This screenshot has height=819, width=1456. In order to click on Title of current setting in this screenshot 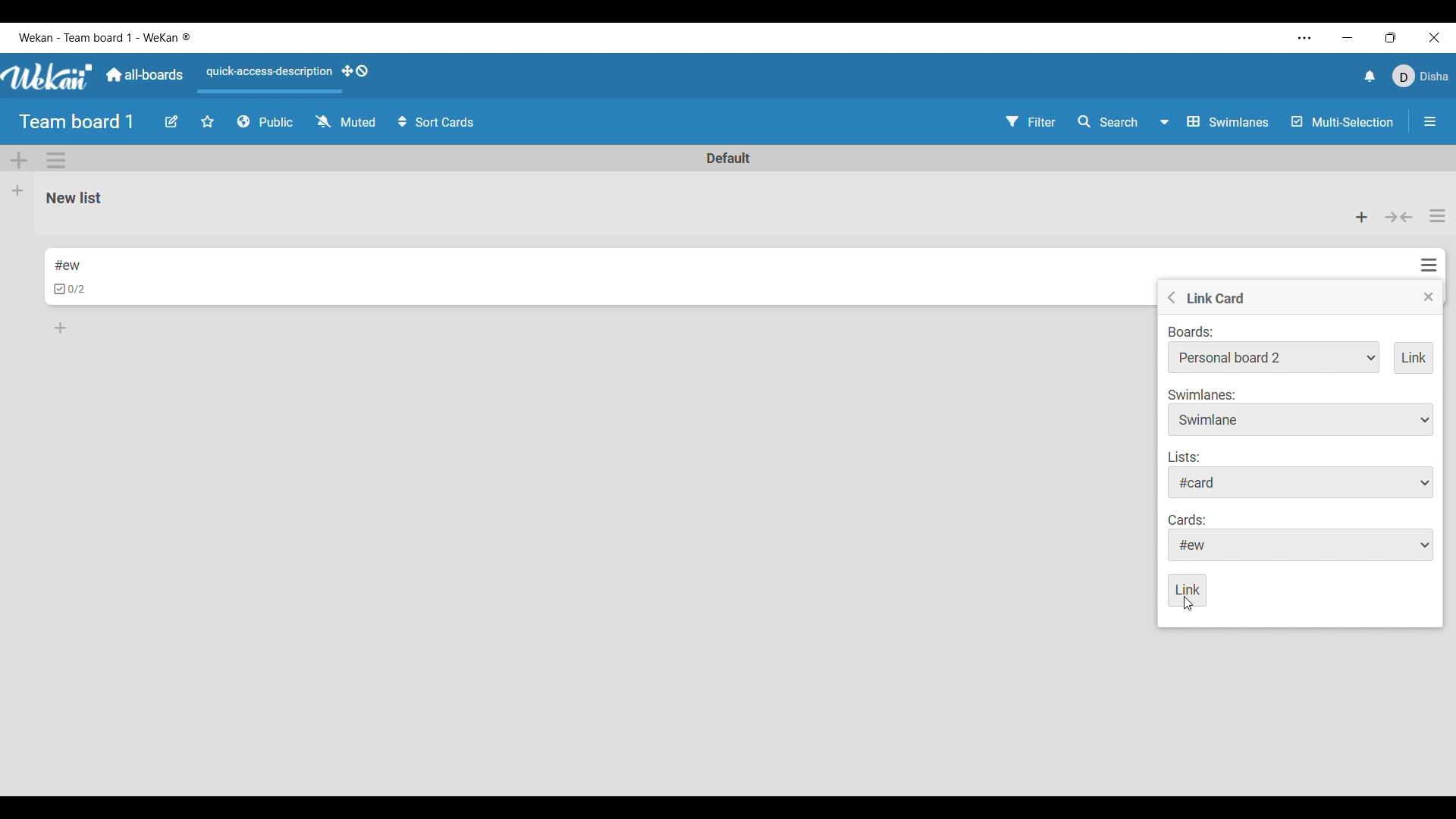, I will do `click(1217, 297)`.